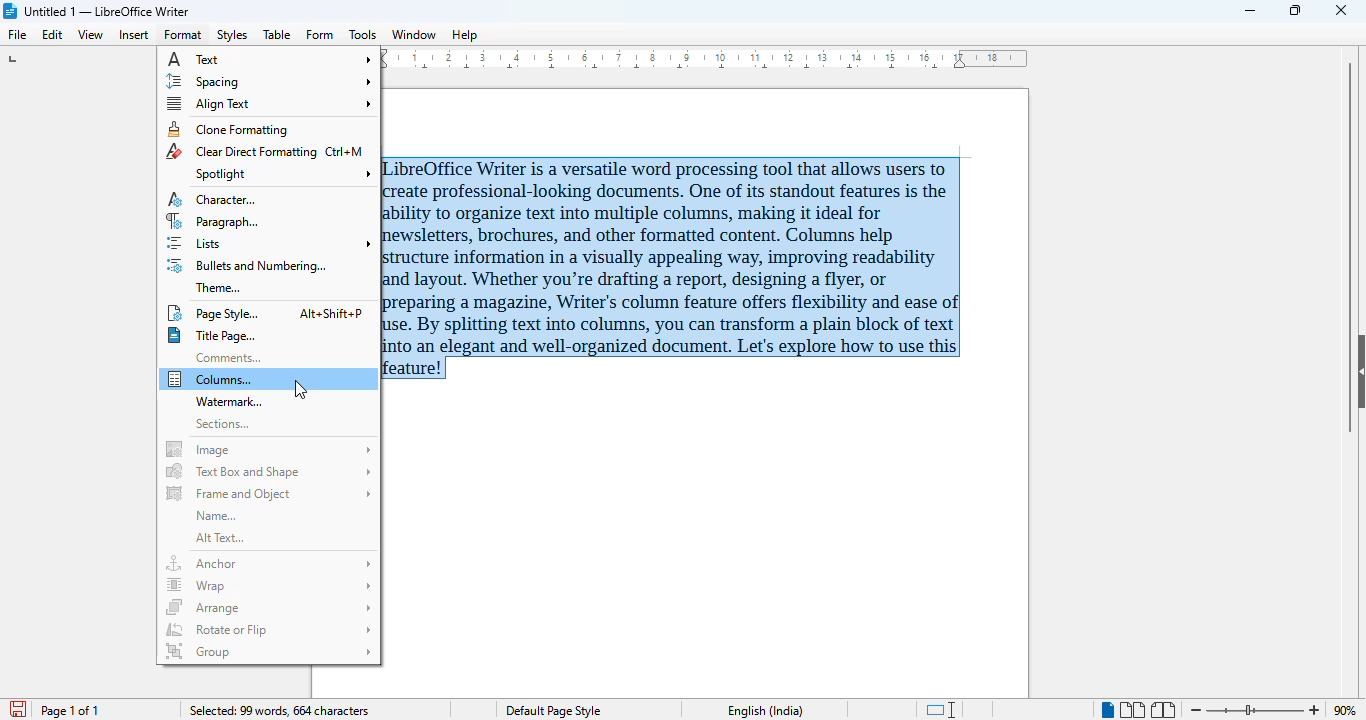 Image resolution: width=1366 pixels, height=720 pixels. What do you see at coordinates (270, 563) in the screenshot?
I see `anchor` at bounding box center [270, 563].